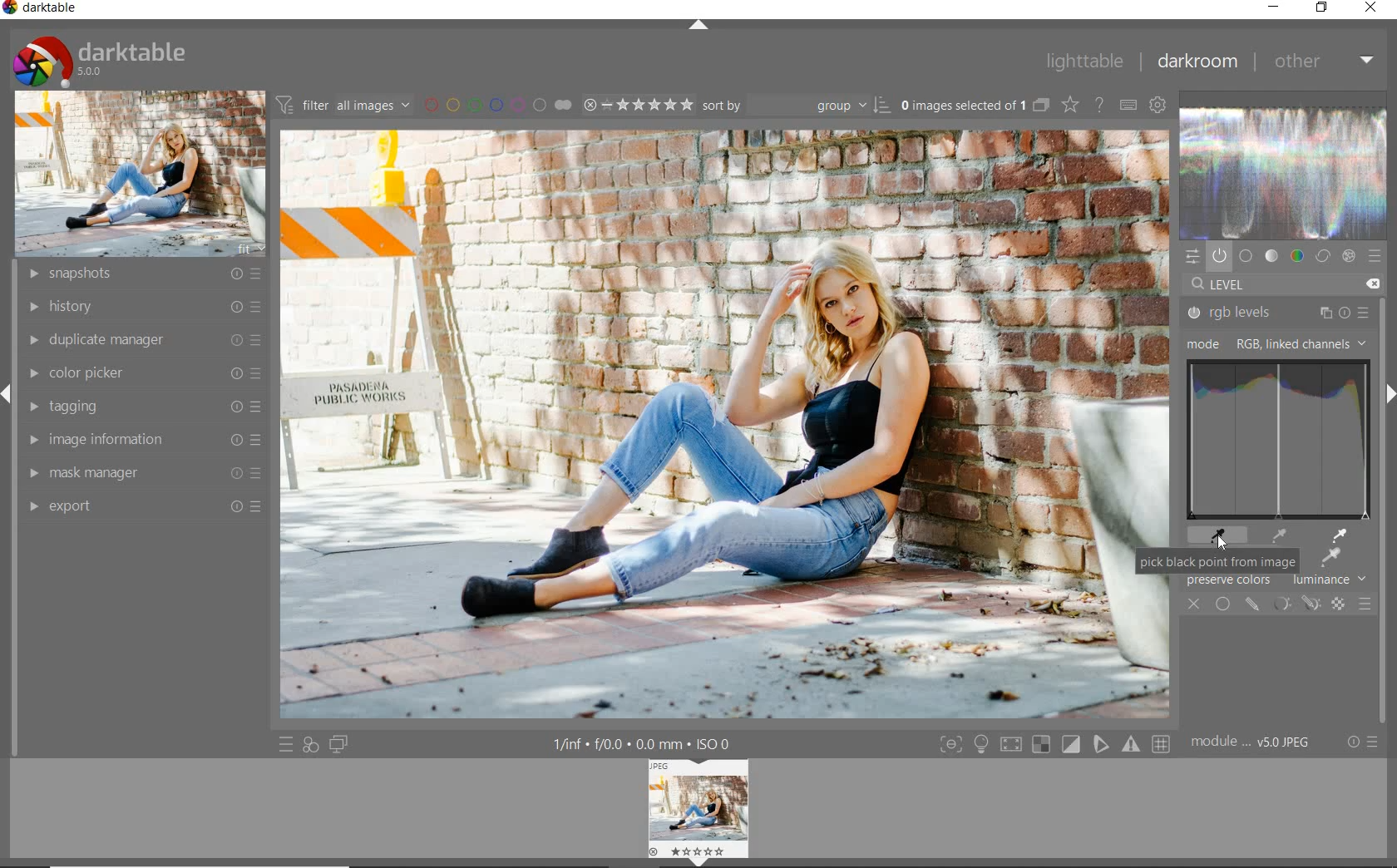 This screenshot has width=1397, height=868. I want to click on filter by image color label, so click(497, 103).